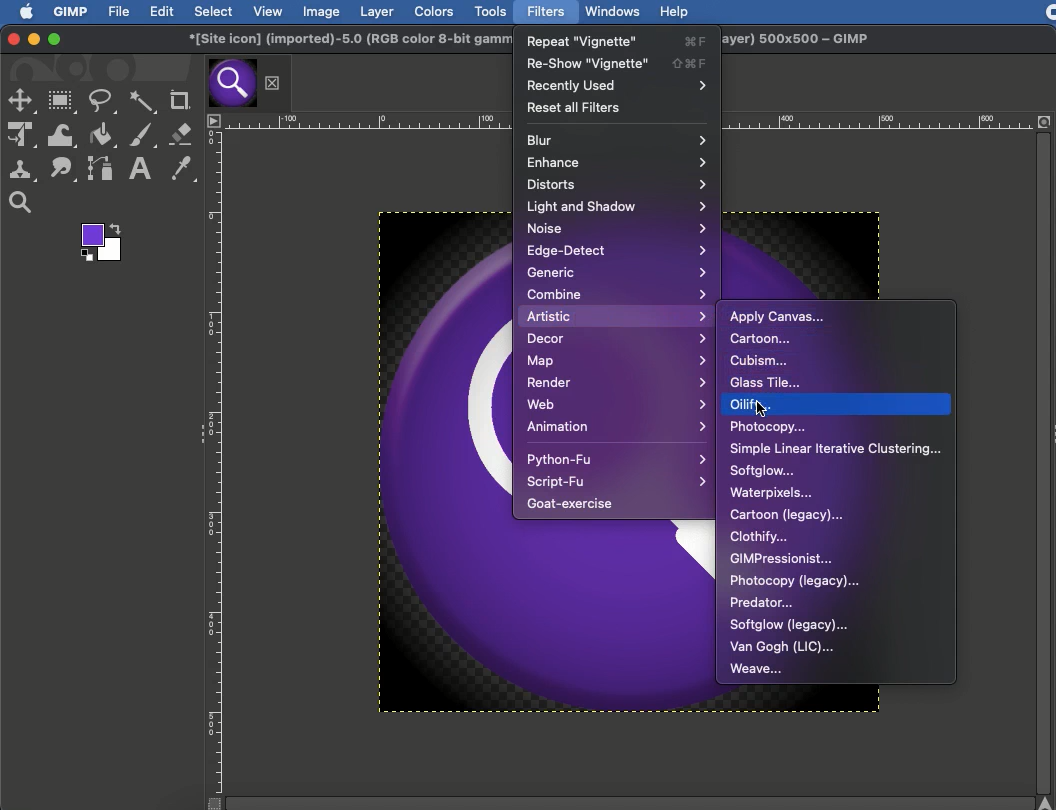 The width and height of the screenshot is (1056, 810). Describe the element at coordinates (617, 381) in the screenshot. I see `Render` at that location.